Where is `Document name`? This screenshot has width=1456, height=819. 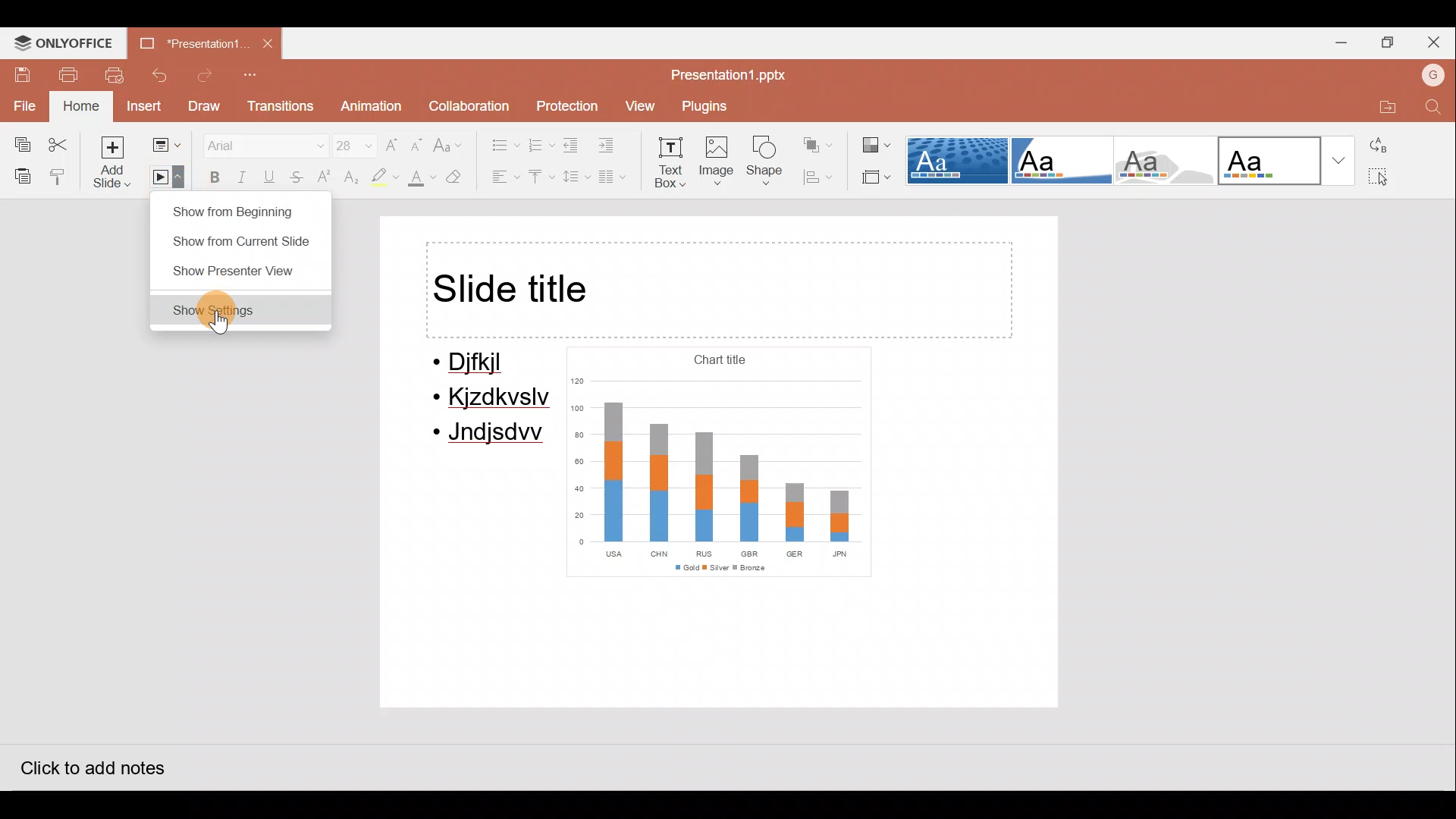 Document name is located at coordinates (186, 40).